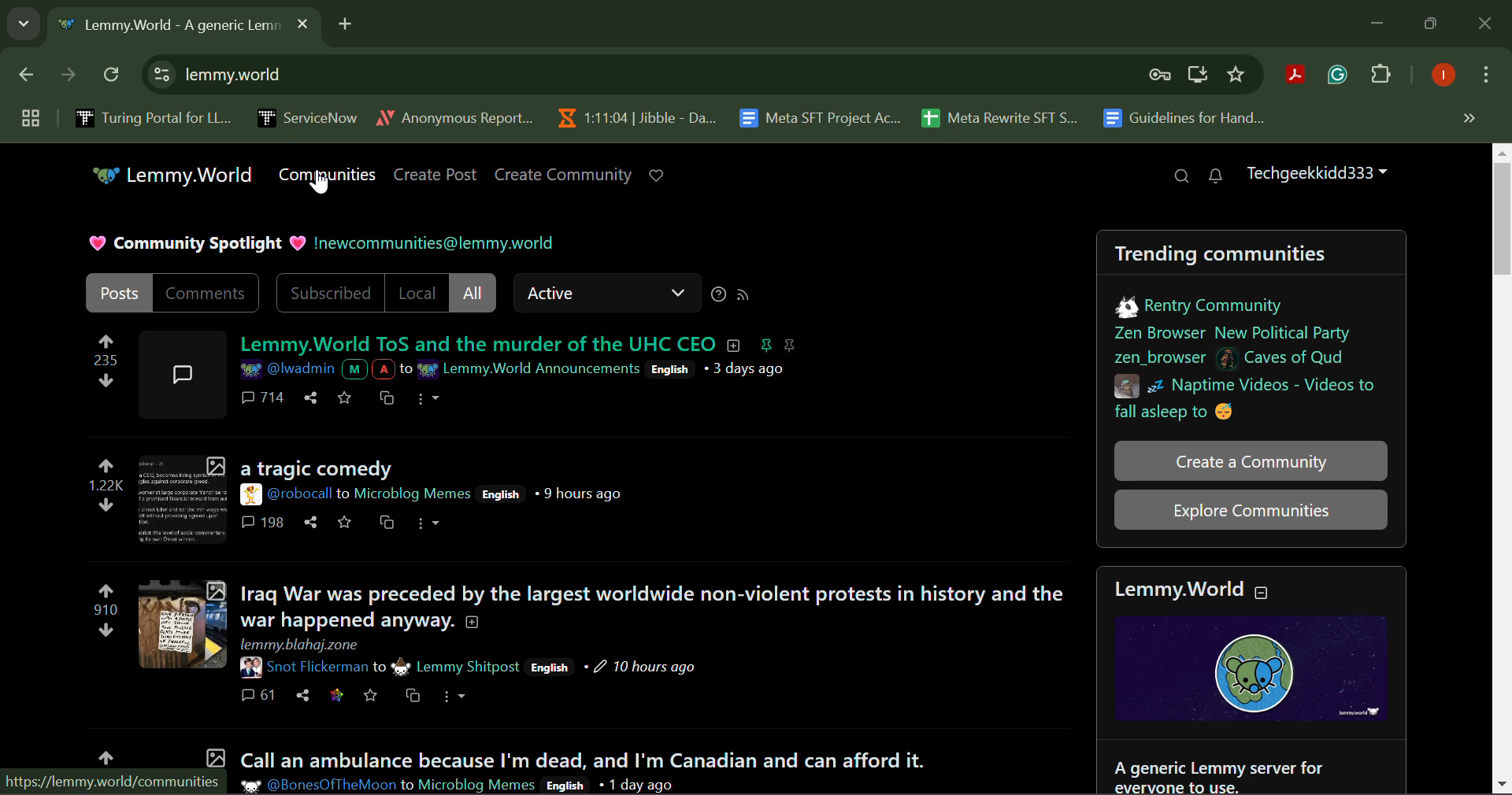 The image size is (1512, 795). What do you see at coordinates (385, 522) in the screenshot?
I see `Cross-post` at bounding box center [385, 522].